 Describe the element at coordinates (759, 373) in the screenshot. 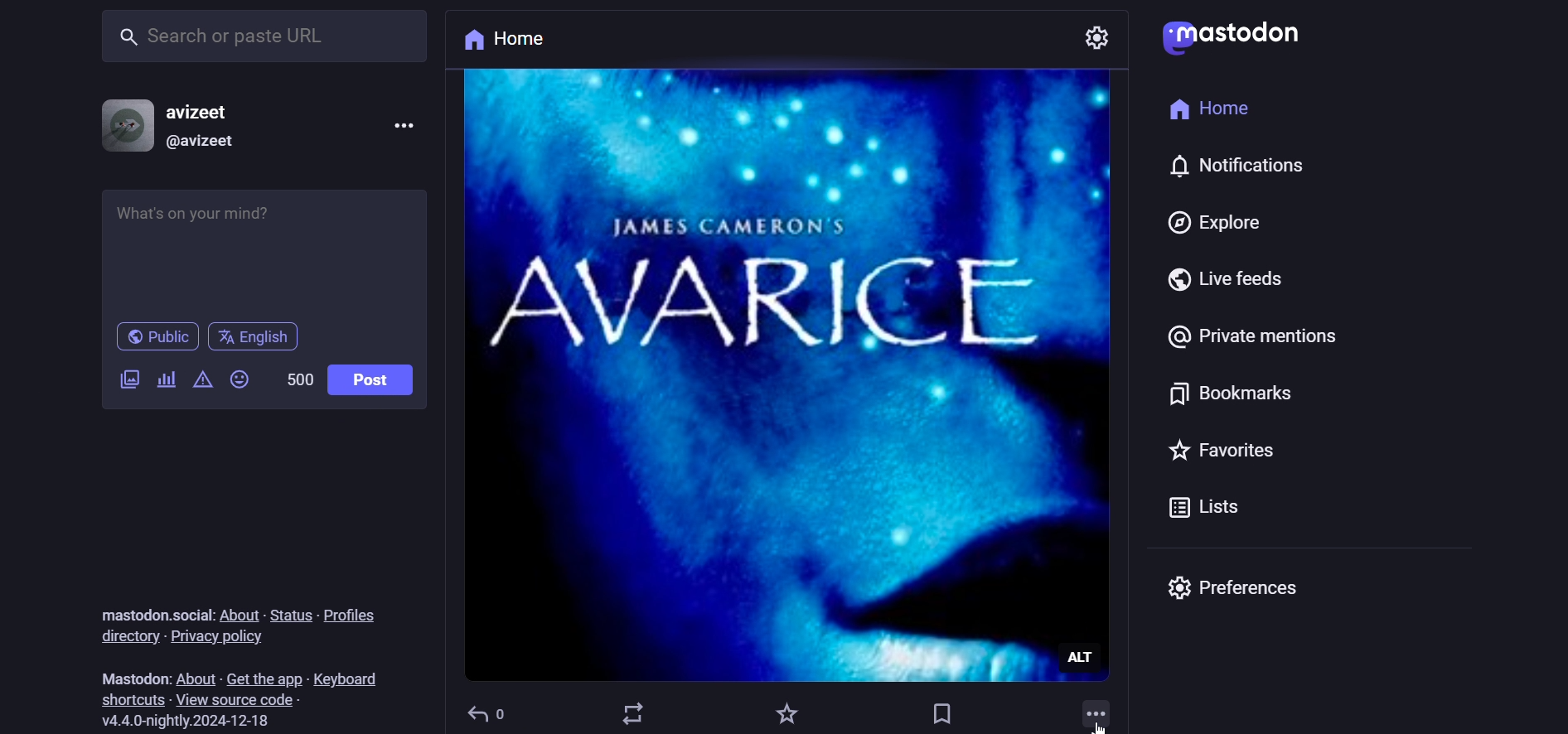

I see `image` at that location.